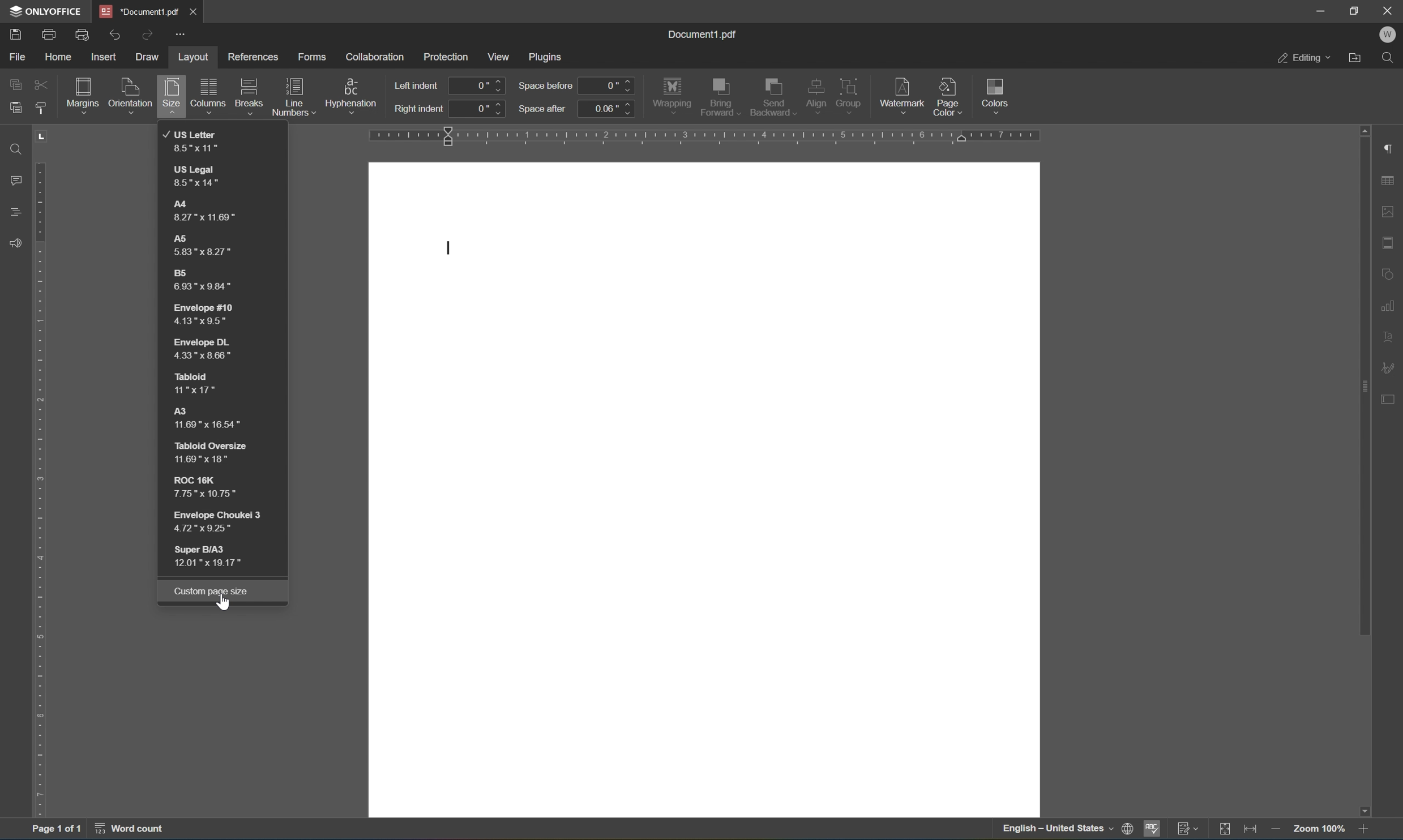 This screenshot has height=840, width=1403. What do you see at coordinates (1391, 305) in the screenshot?
I see `chart settings` at bounding box center [1391, 305].